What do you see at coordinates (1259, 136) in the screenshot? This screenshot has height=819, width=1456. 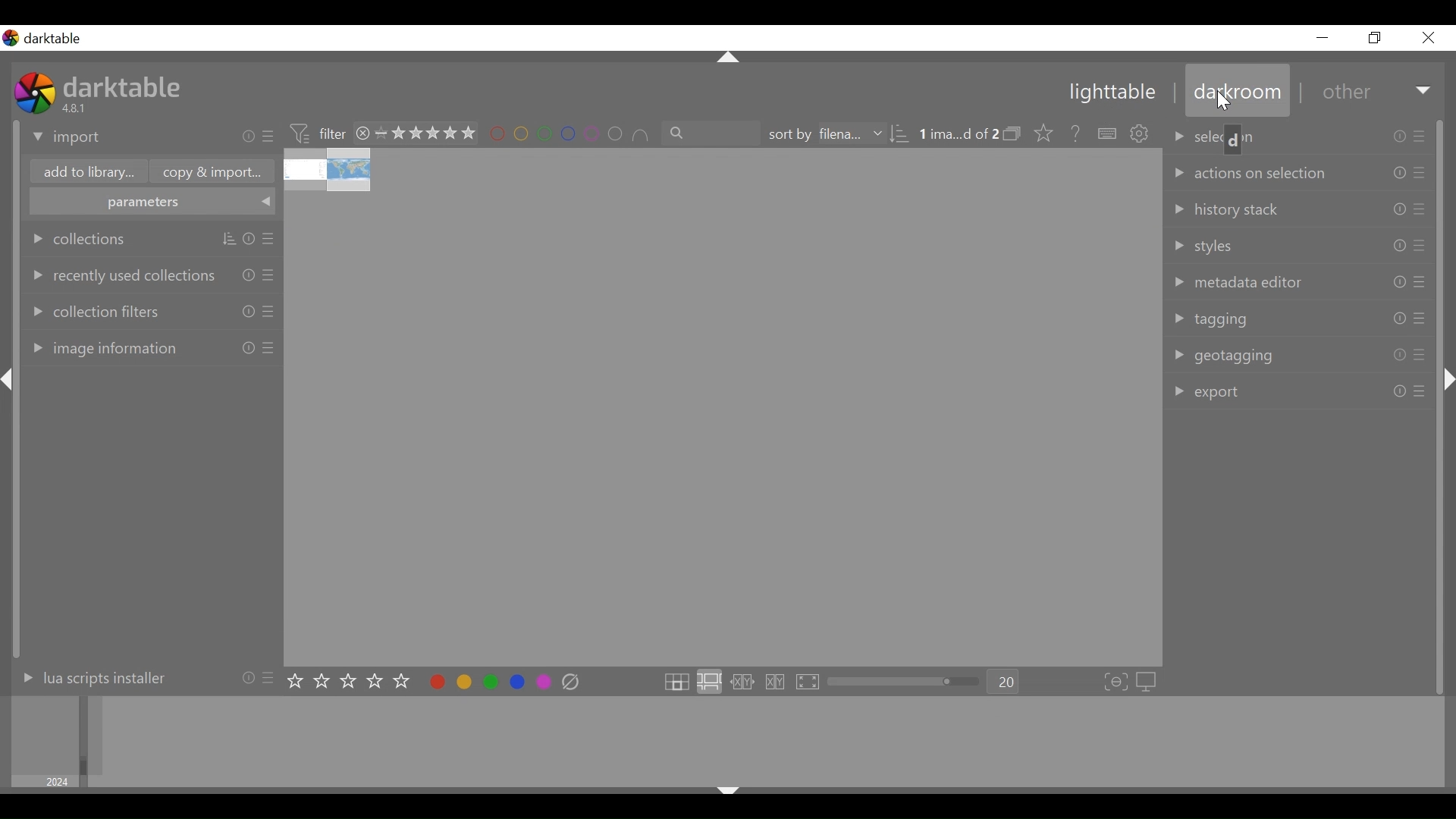 I see `selection` at bounding box center [1259, 136].